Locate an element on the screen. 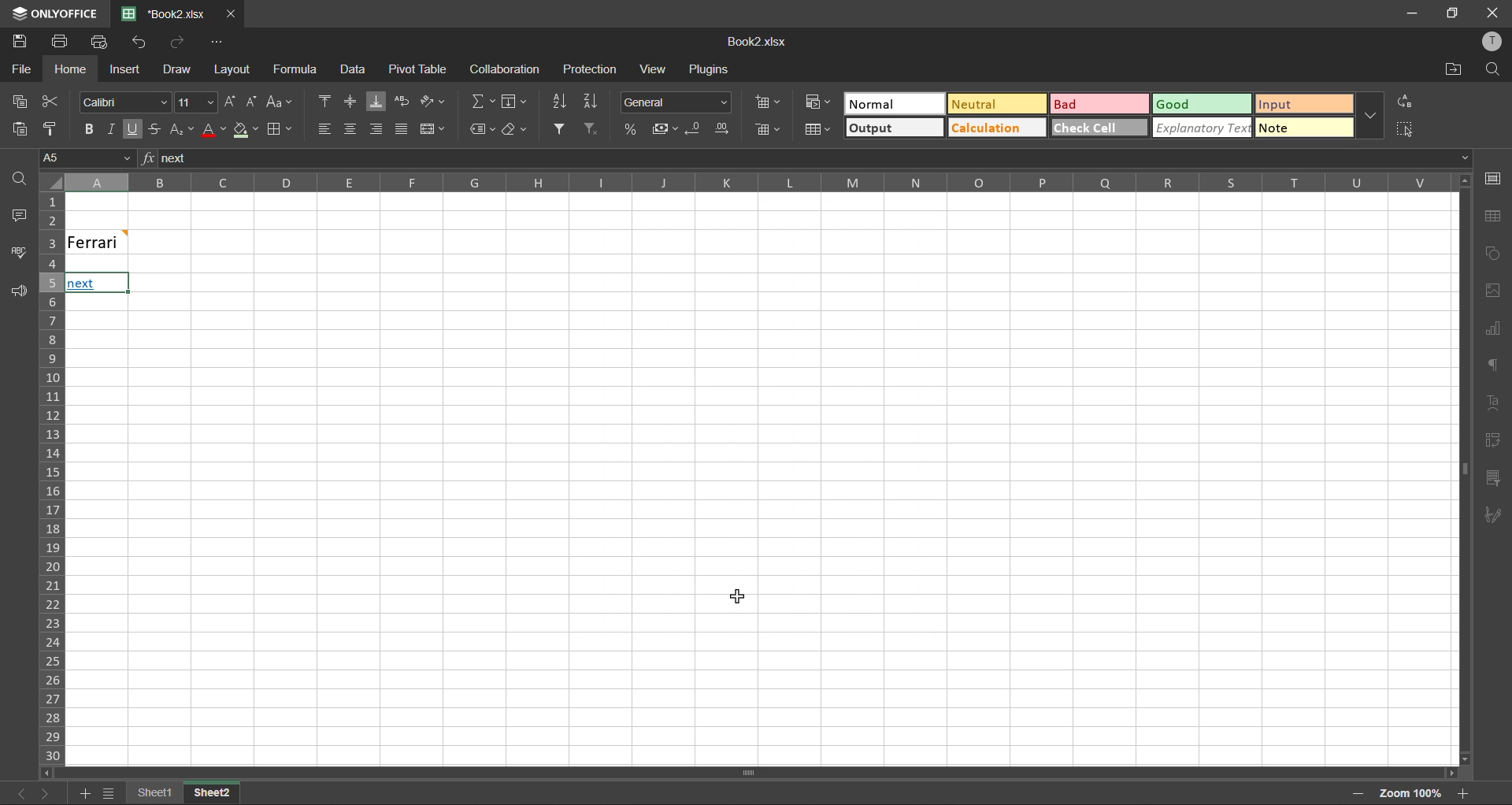 The image size is (1512, 805). print is located at coordinates (61, 41).